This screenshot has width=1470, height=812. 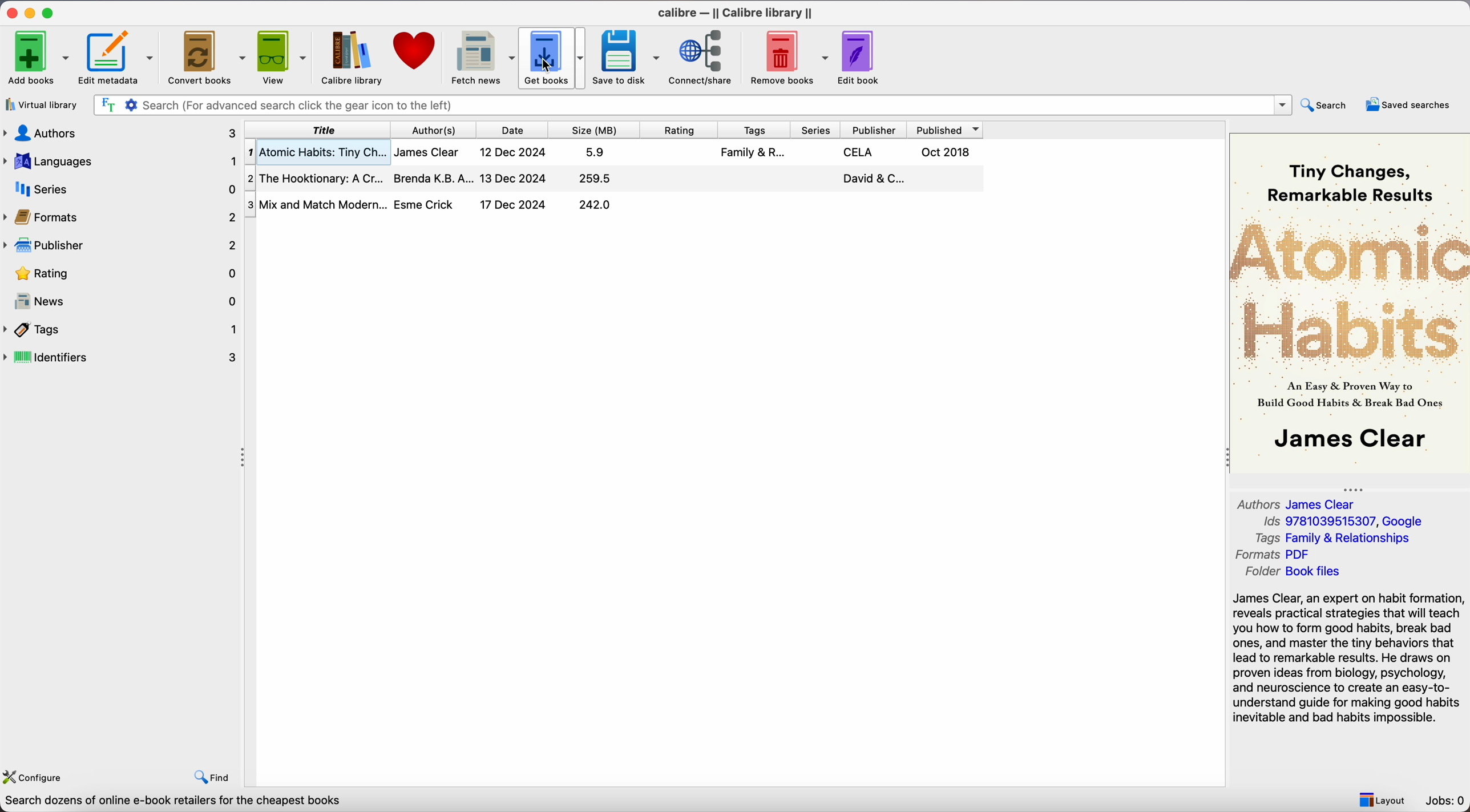 What do you see at coordinates (120, 189) in the screenshot?
I see `series` at bounding box center [120, 189].